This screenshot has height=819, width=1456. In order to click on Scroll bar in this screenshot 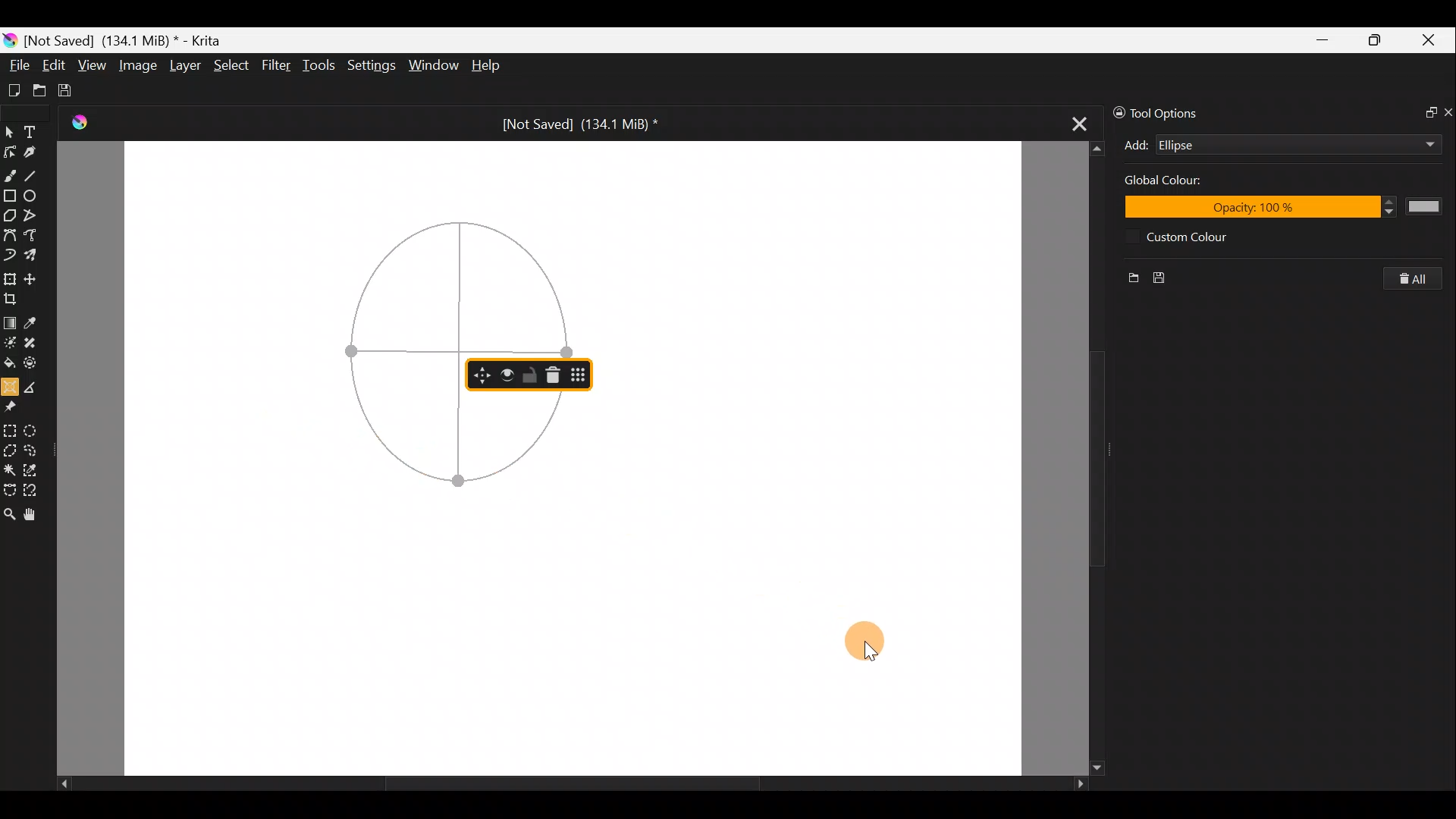, I will do `click(1078, 457)`.